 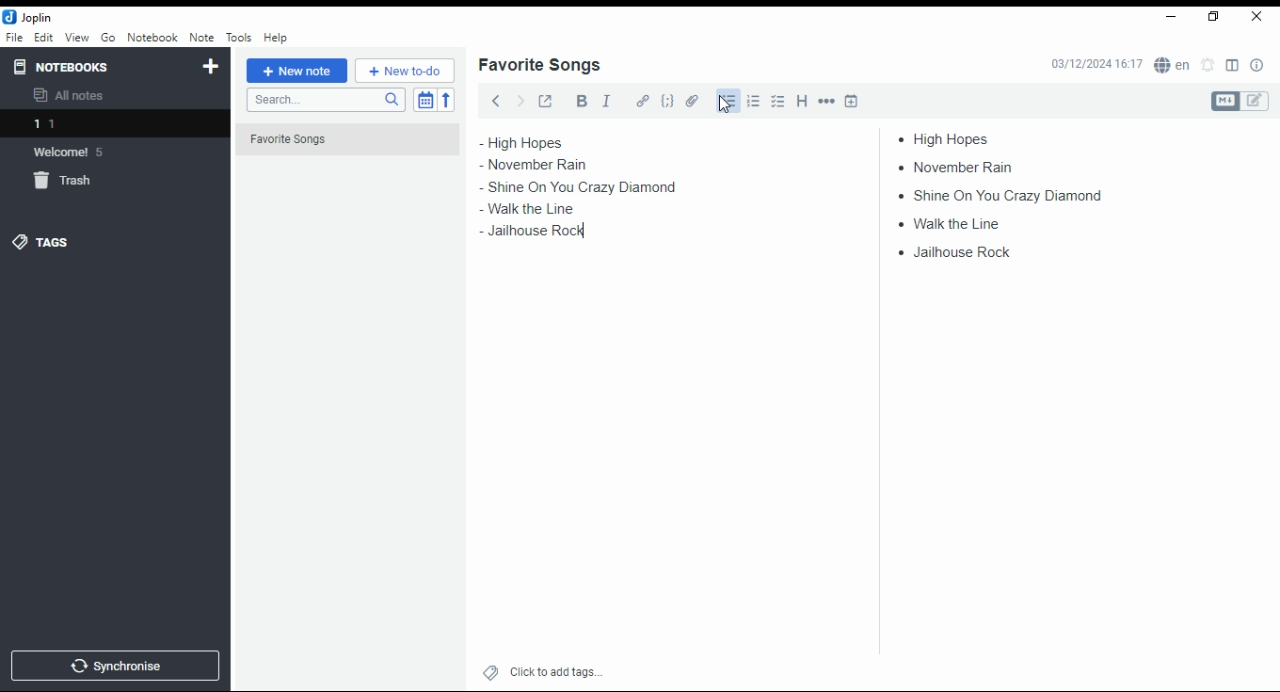 I want to click on jailhouse rock, so click(x=958, y=253).